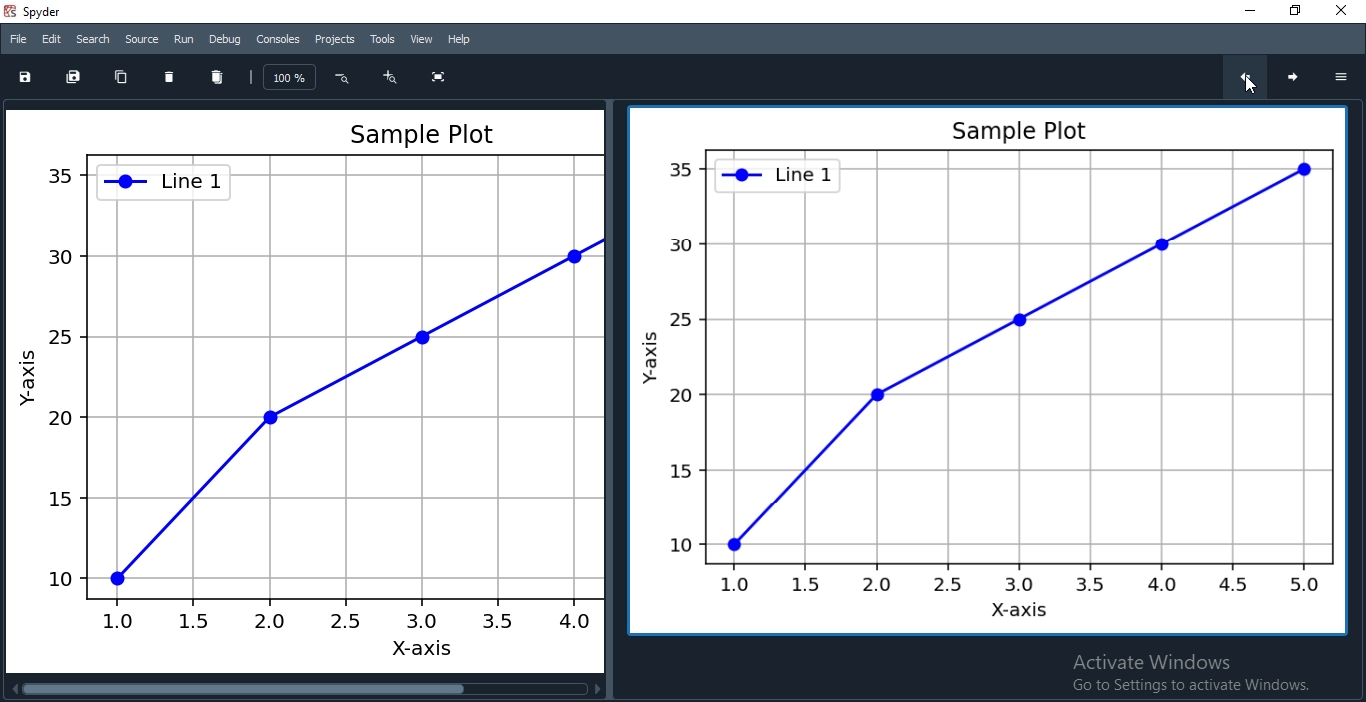 The width and height of the screenshot is (1366, 702). Describe the element at coordinates (28, 77) in the screenshot. I see `save` at that location.